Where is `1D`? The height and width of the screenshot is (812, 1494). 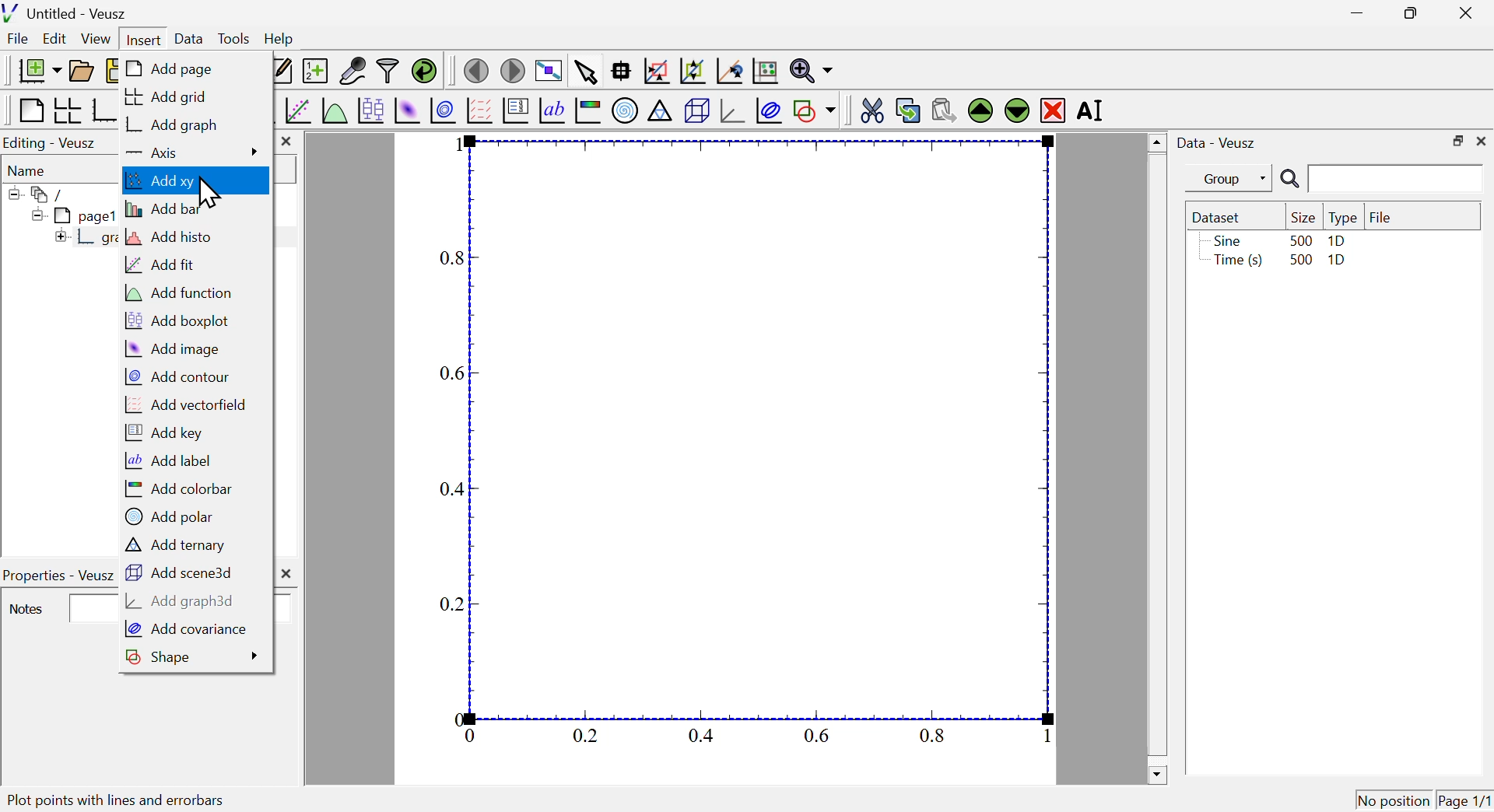 1D is located at coordinates (1338, 262).